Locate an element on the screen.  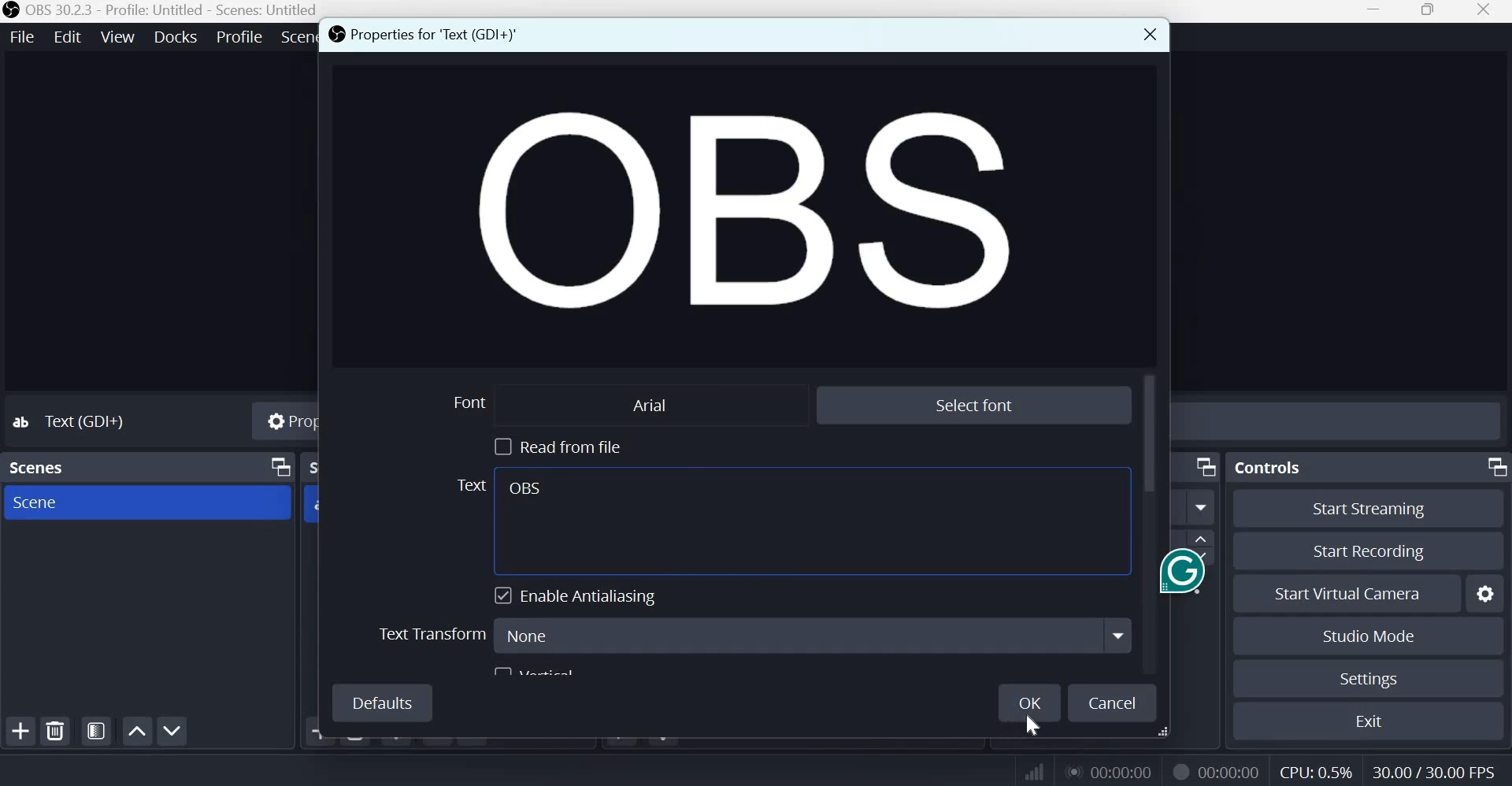
View is located at coordinates (119, 36).